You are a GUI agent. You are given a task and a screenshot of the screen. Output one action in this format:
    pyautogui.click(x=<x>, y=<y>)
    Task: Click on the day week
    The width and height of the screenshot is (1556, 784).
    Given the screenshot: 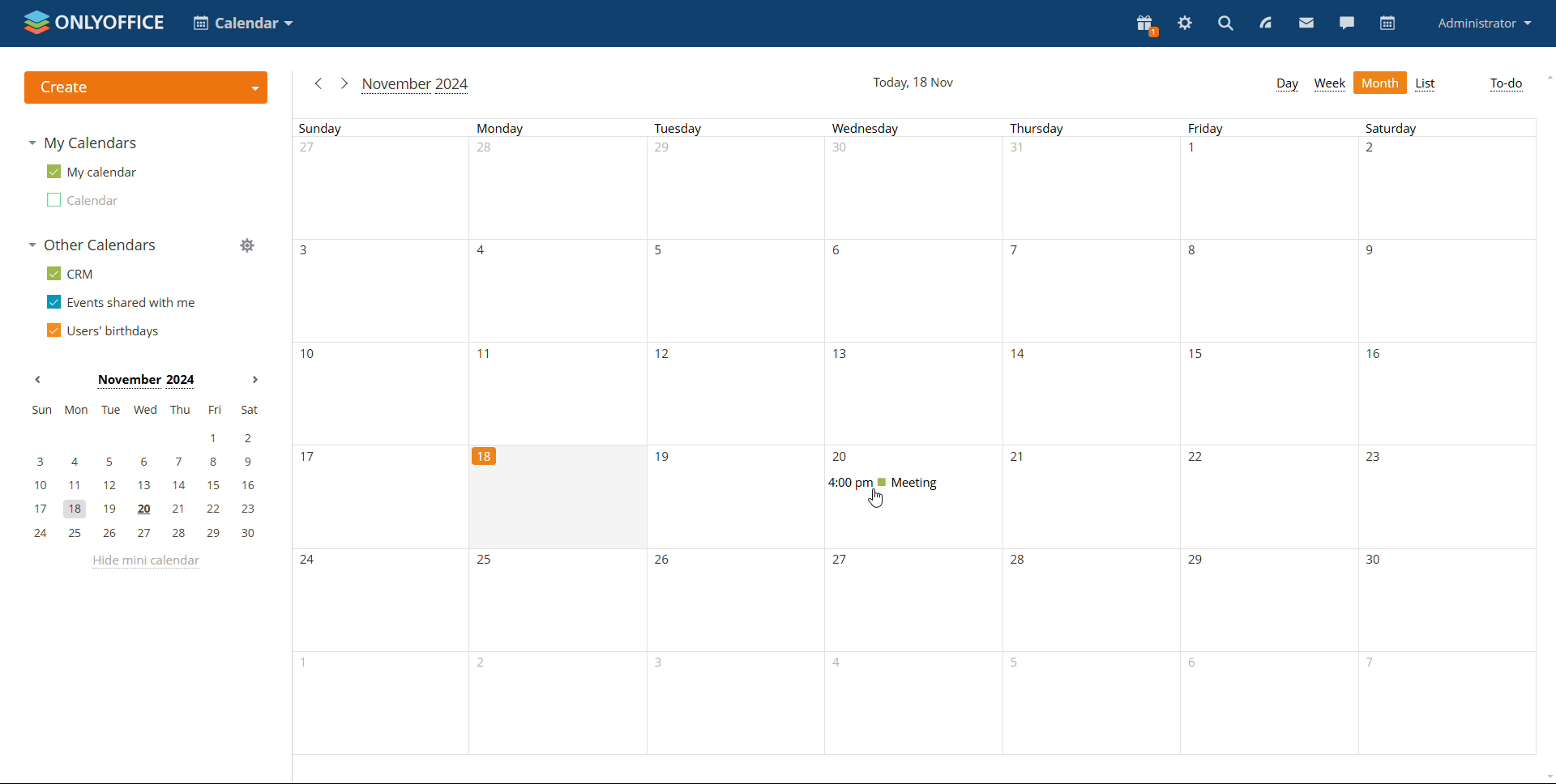 What is the action you would take?
    pyautogui.click(x=1287, y=85)
    